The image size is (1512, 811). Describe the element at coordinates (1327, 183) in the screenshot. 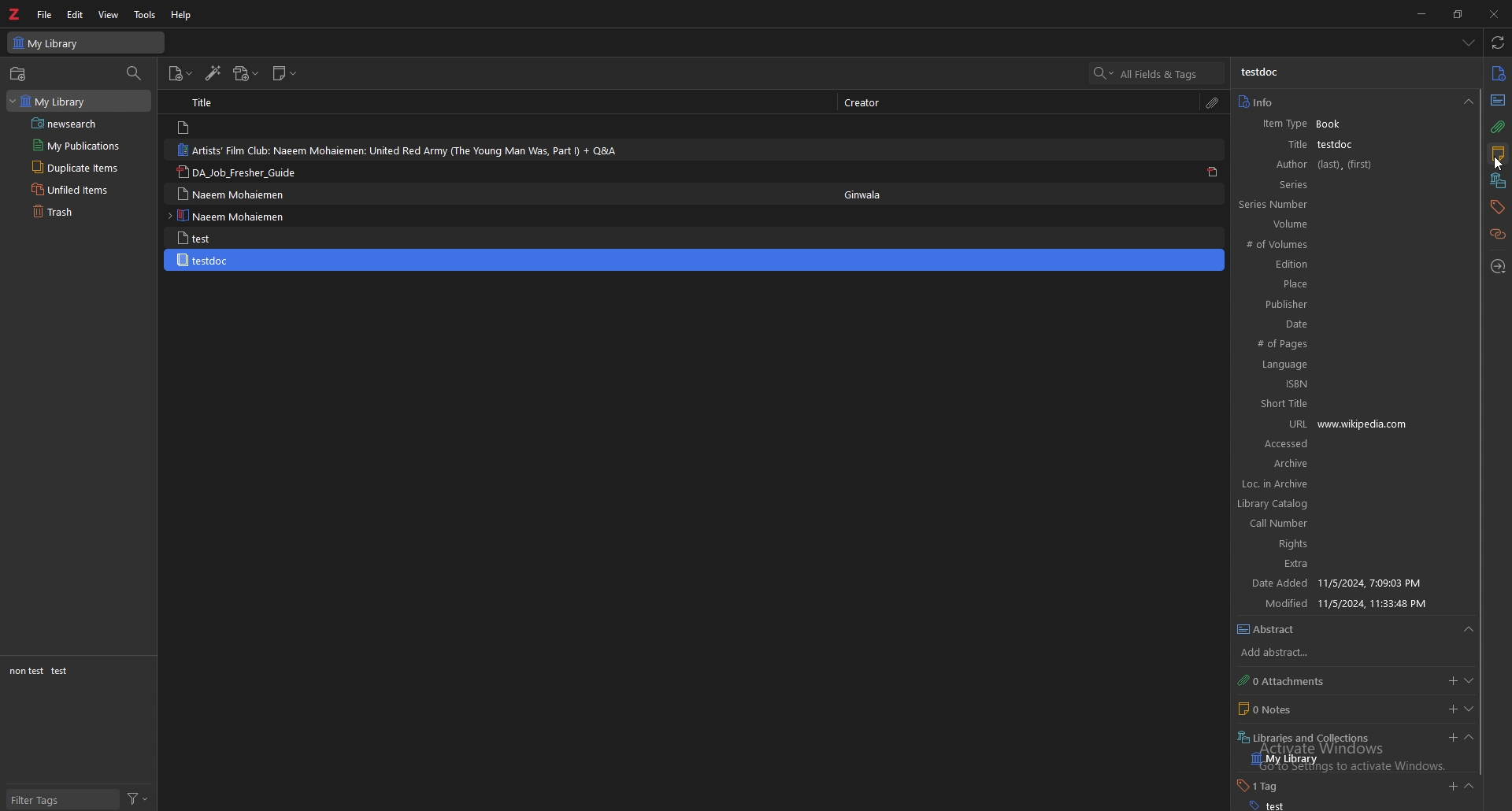

I see `series` at that location.